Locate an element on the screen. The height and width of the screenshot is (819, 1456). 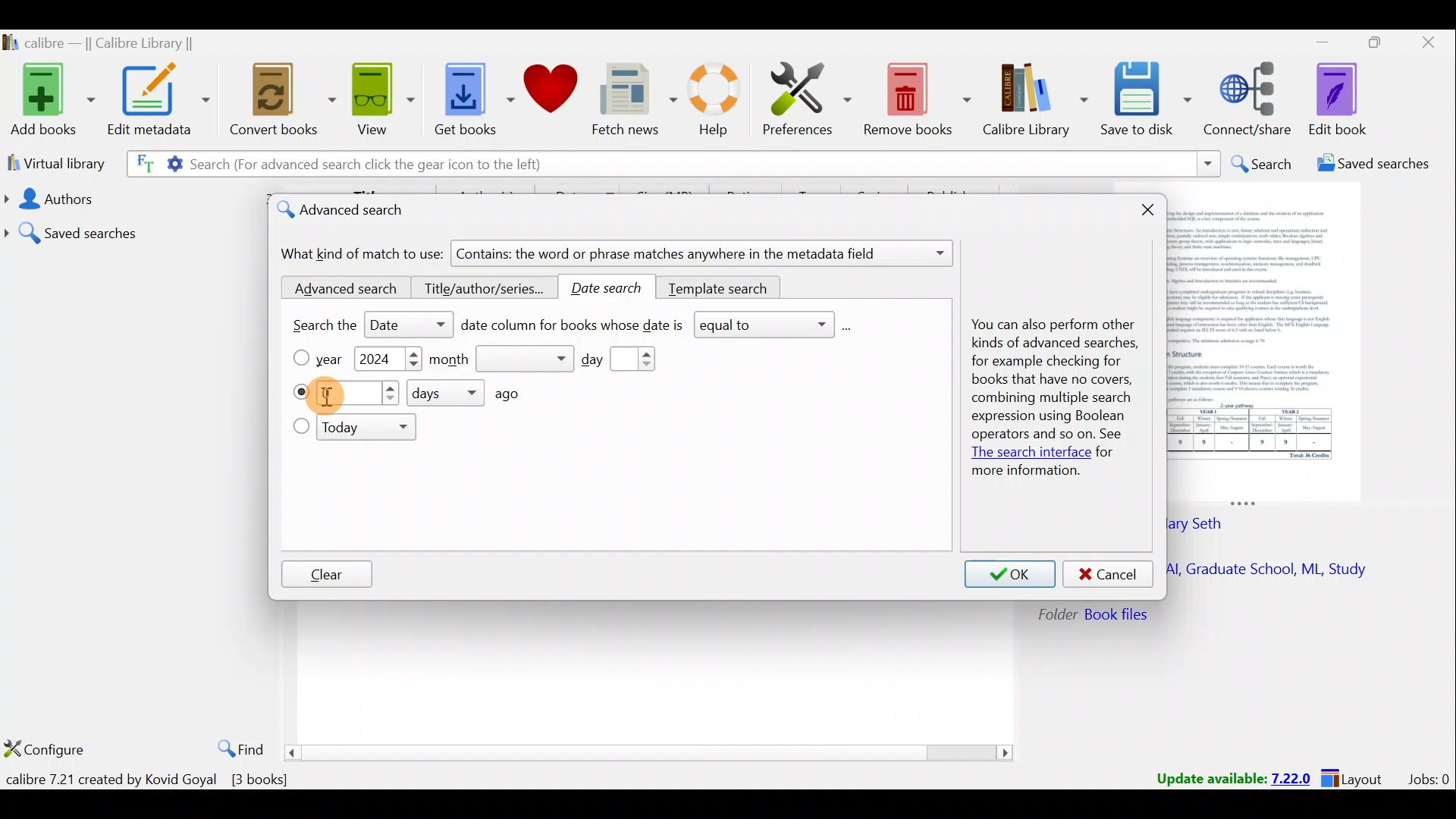
calibre 7.21 created by Kovid Goyal [3 books] is located at coordinates (151, 780).